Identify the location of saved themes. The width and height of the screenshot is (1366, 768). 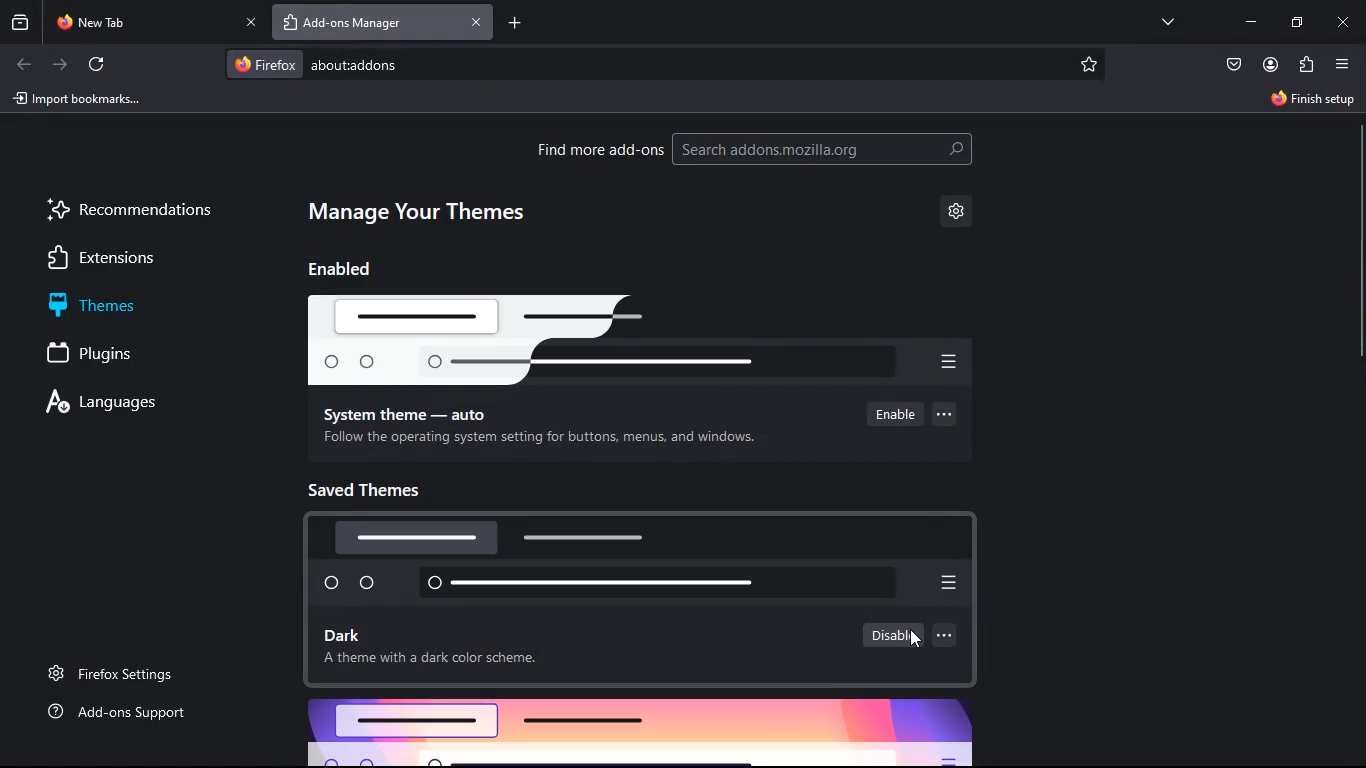
(378, 489).